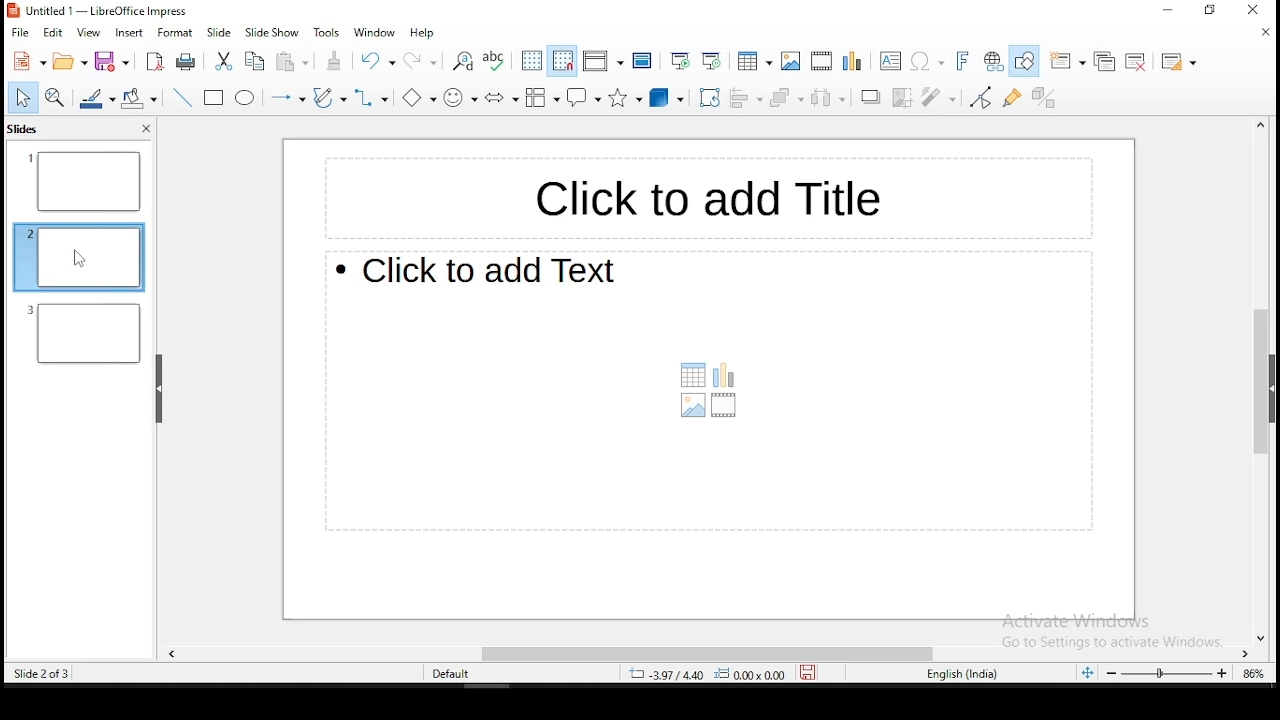  I want to click on redo, so click(421, 59).